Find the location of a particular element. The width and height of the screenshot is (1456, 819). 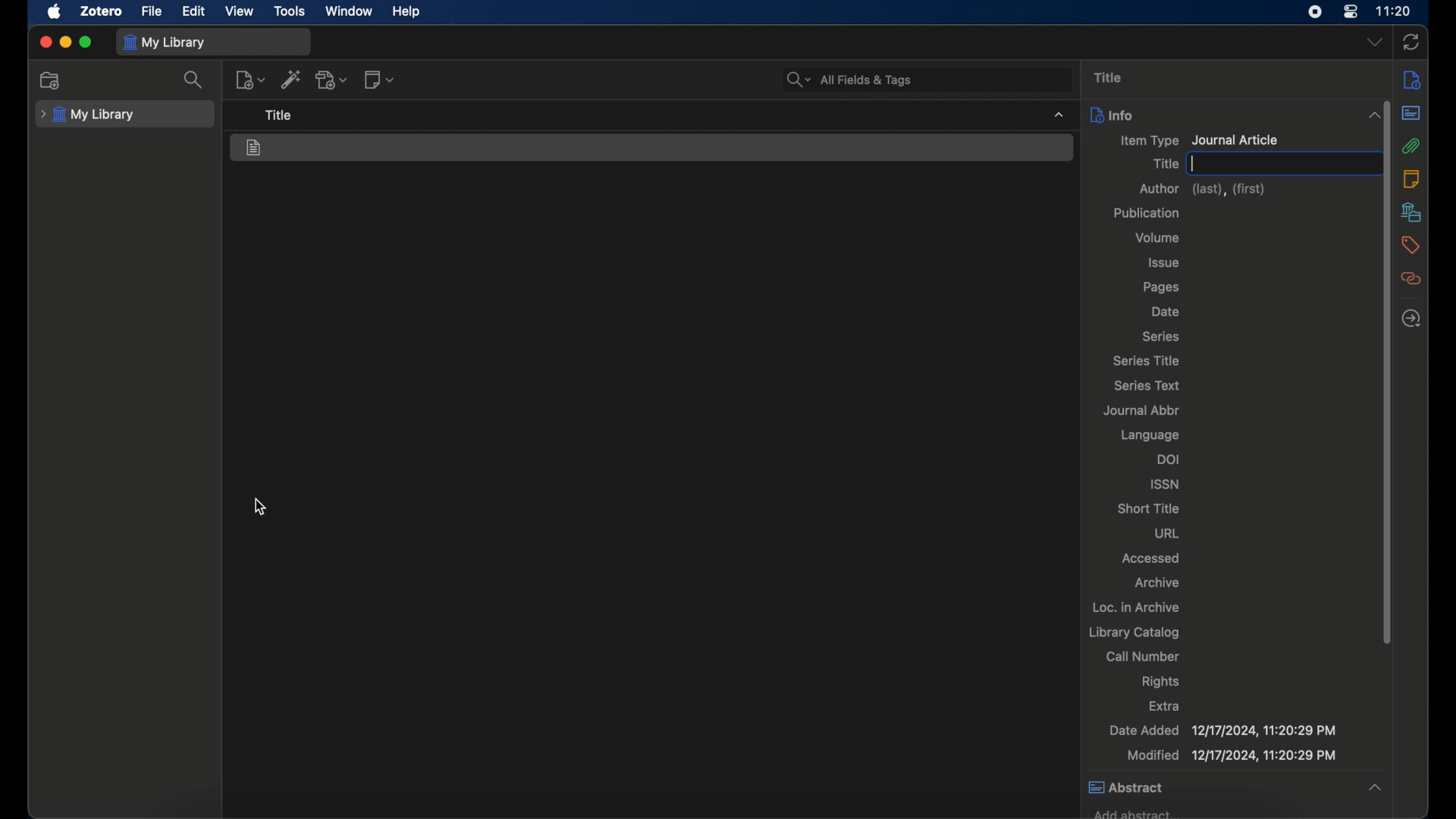

related is located at coordinates (1409, 278).